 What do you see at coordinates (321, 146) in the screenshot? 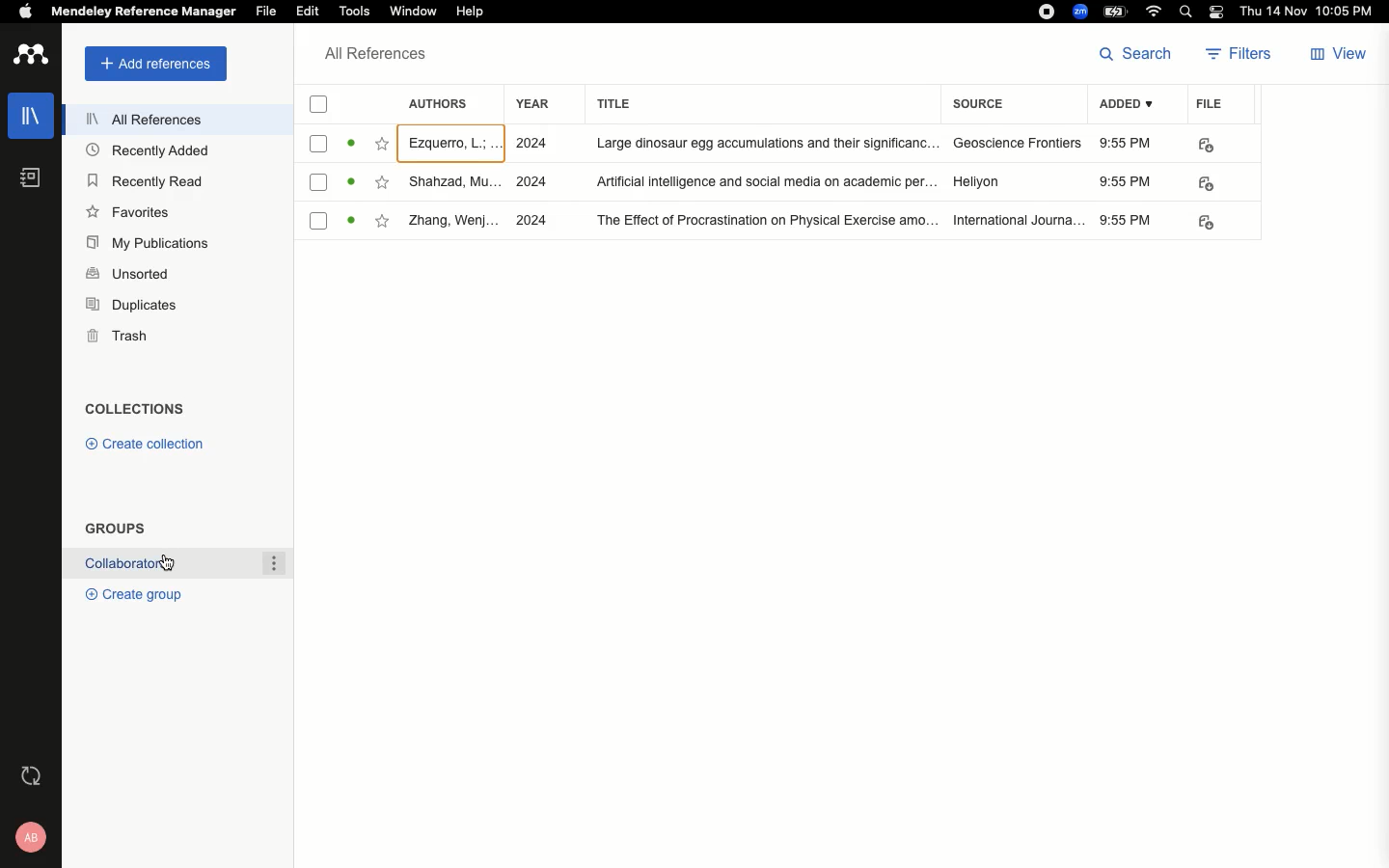
I see `checkbox` at bounding box center [321, 146].